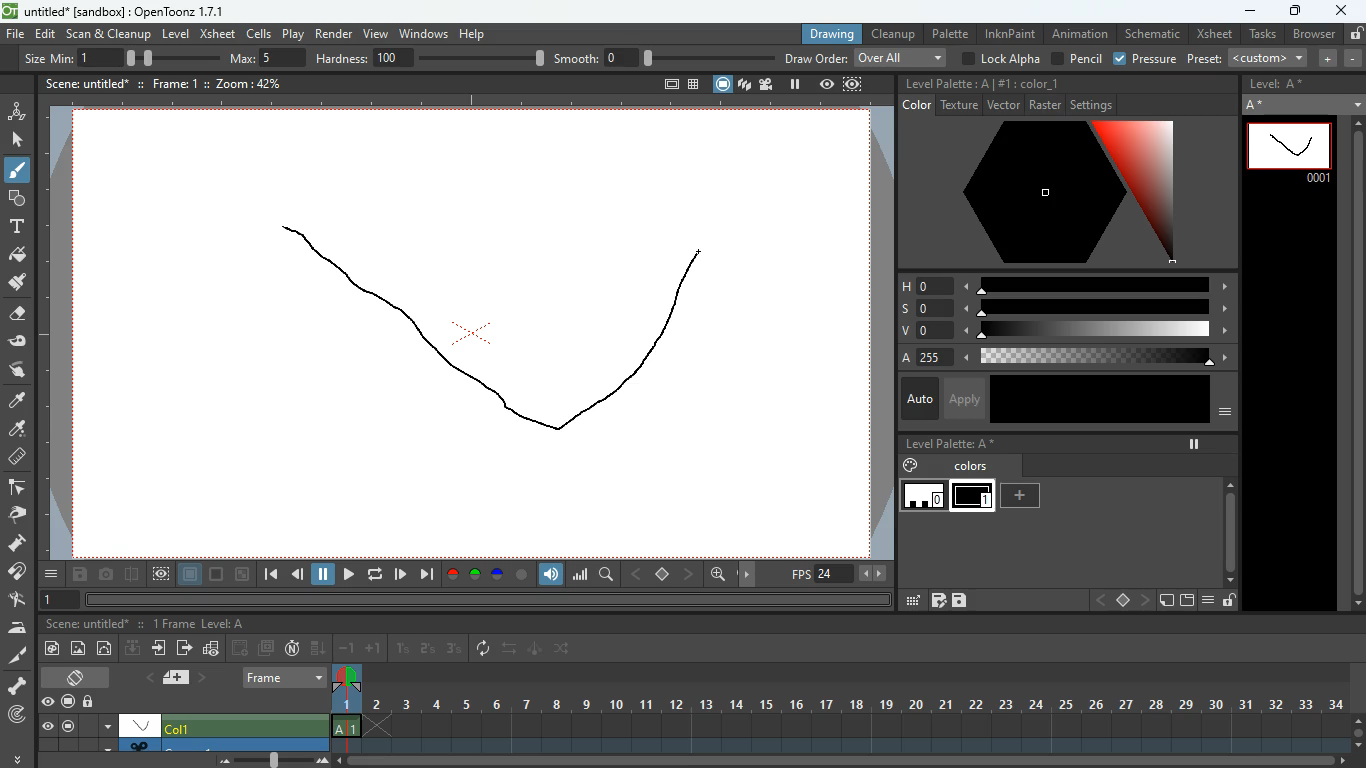 Image resolution: width=1366 pixels, height=768 pixels. What do you see at coordinates (795, 84) in the screenshot?
I see `pause` at bounding box center [795, 84].